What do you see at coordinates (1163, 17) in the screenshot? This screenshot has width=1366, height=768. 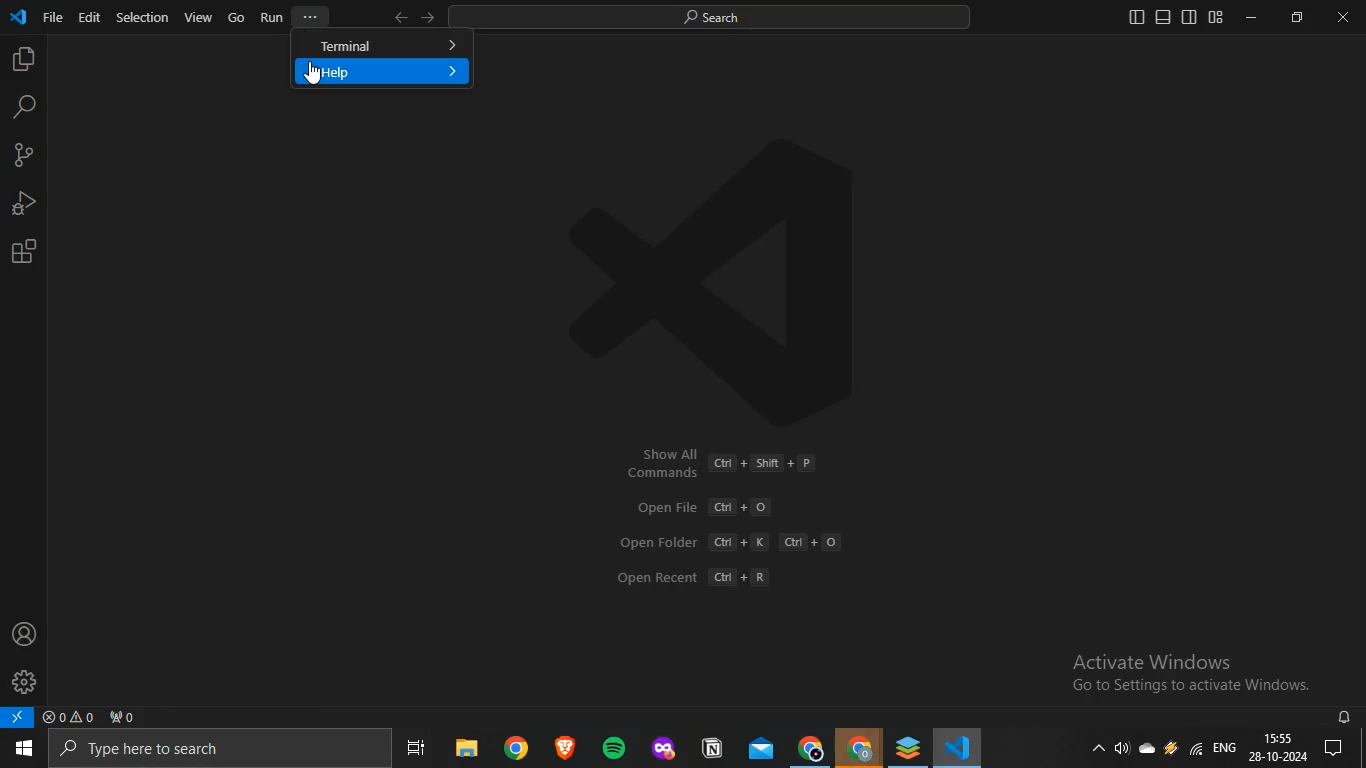 I see `toggle panel` at bounding box center [1163, 17].